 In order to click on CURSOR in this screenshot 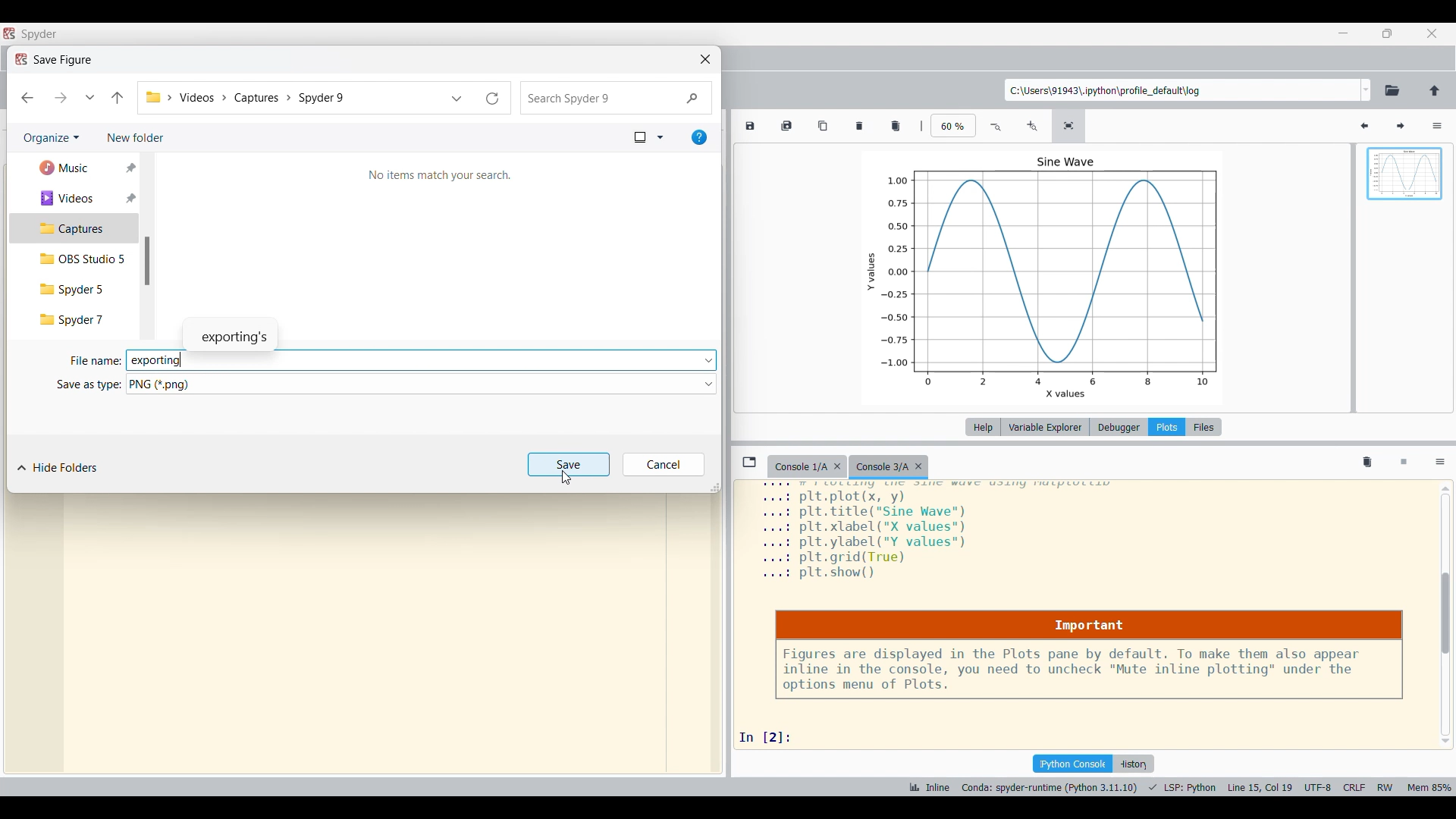, I will do `click(570, 479)`.